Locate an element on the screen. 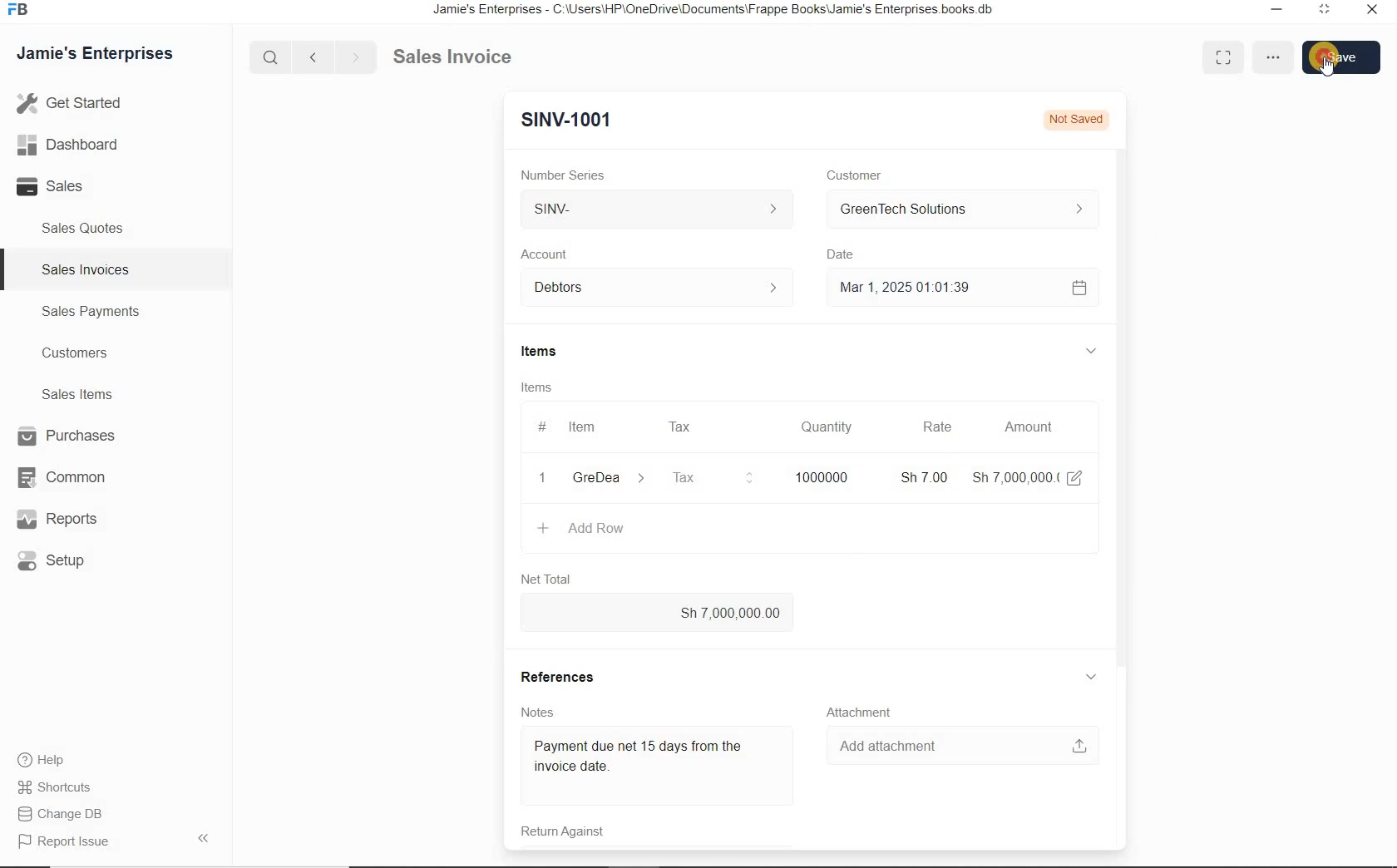 This screenshot has height=868, width=1397. restore down is located at coordinates (1273, 11).